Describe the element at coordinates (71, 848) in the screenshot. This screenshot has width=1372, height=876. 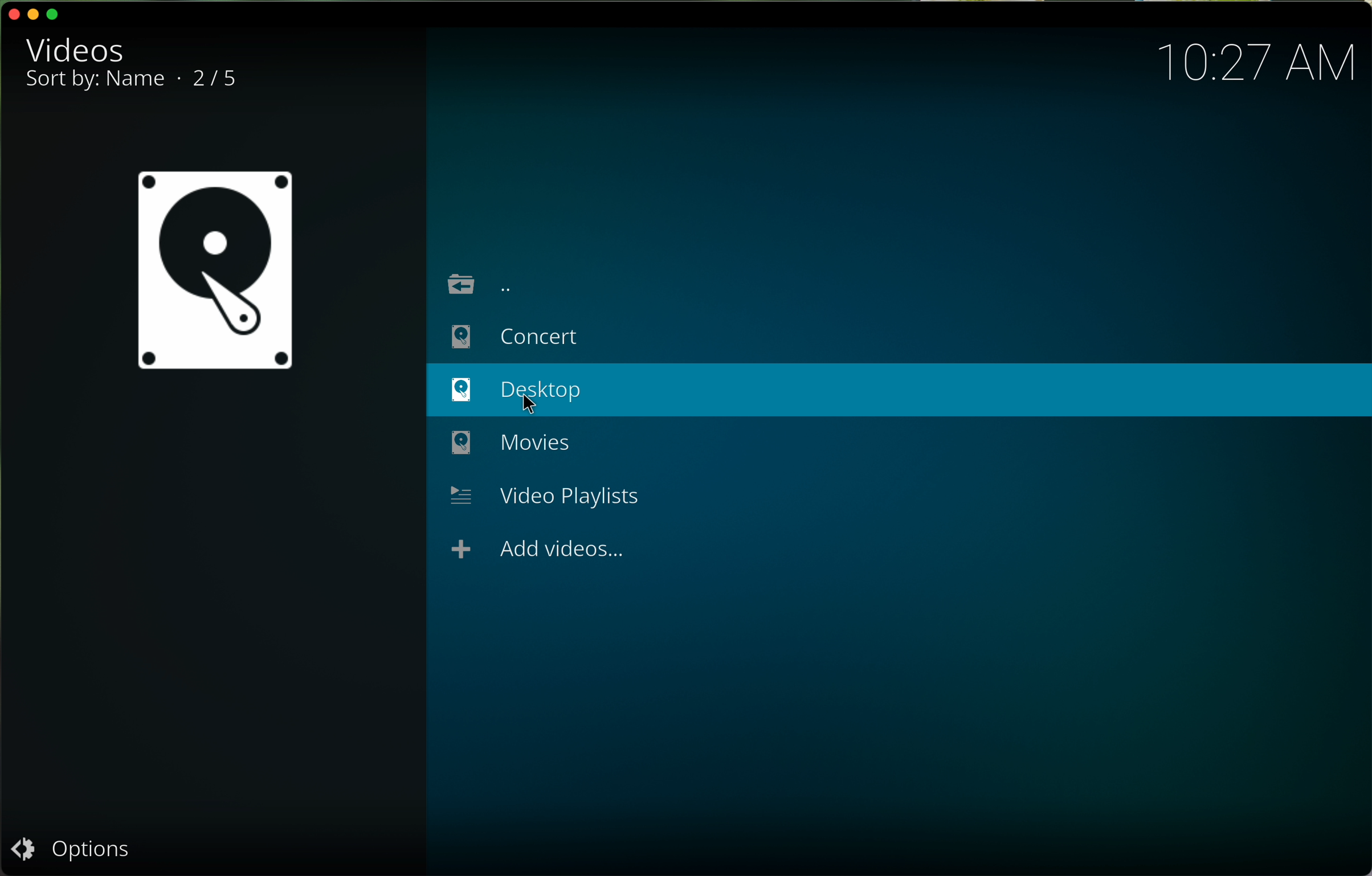
I see `options` at that location.